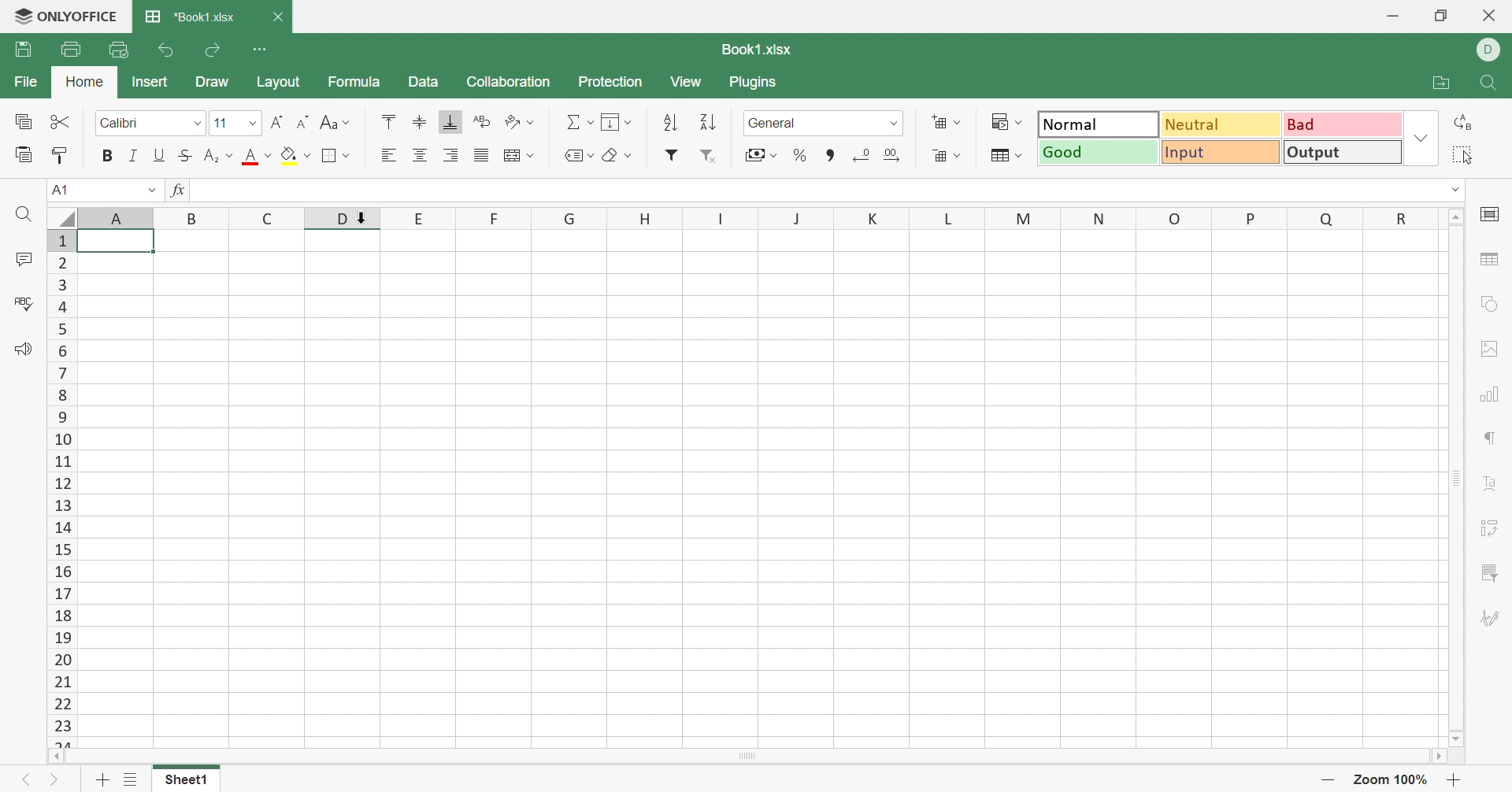  What do you see at coordinates (116, 50) in the screenshot?
I see `Quick Print` at bounding box center [116, 50].